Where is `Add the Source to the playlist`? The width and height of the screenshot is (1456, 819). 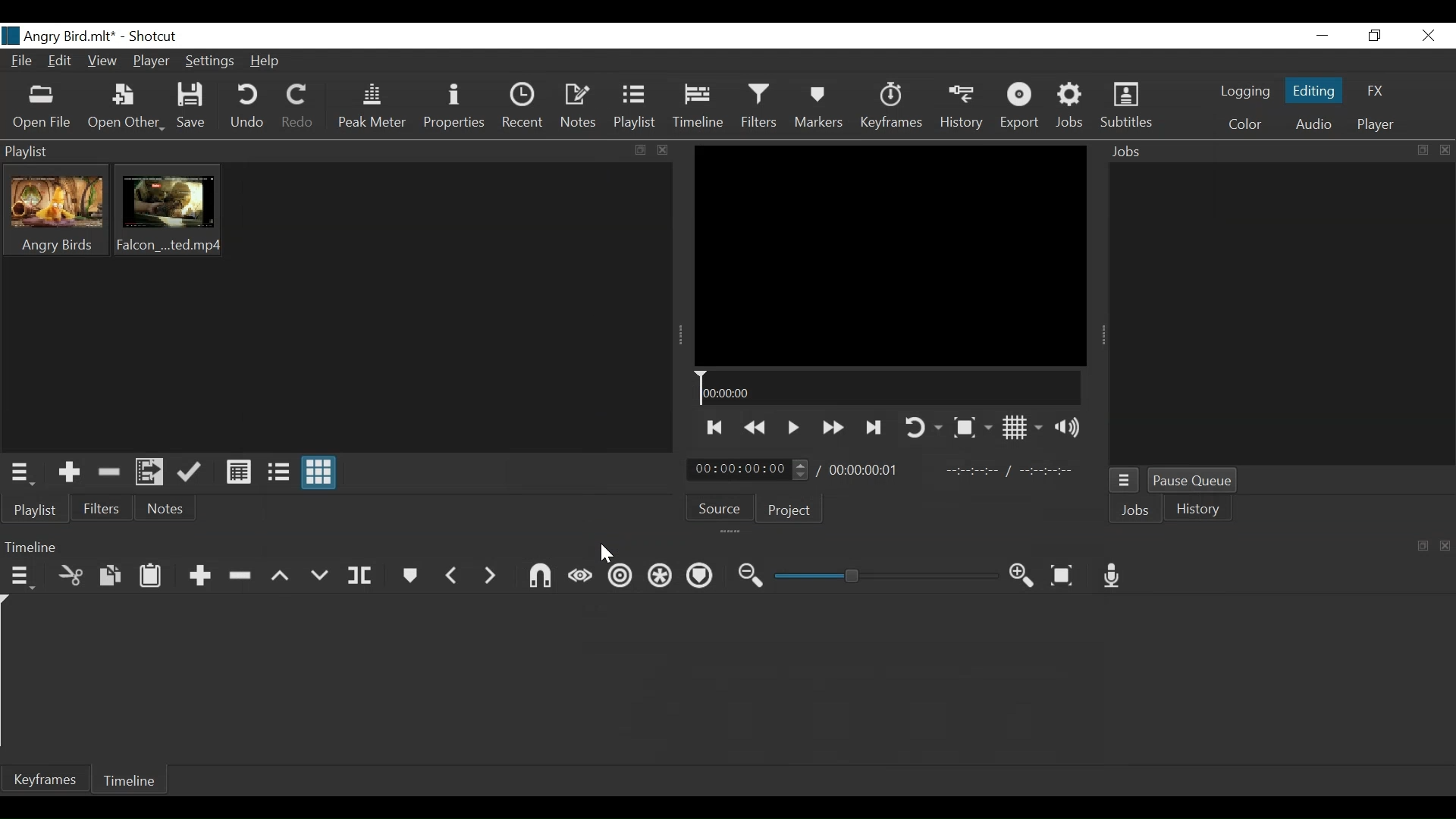
Add the Source to the playlist is located at coordinates (69, 472).